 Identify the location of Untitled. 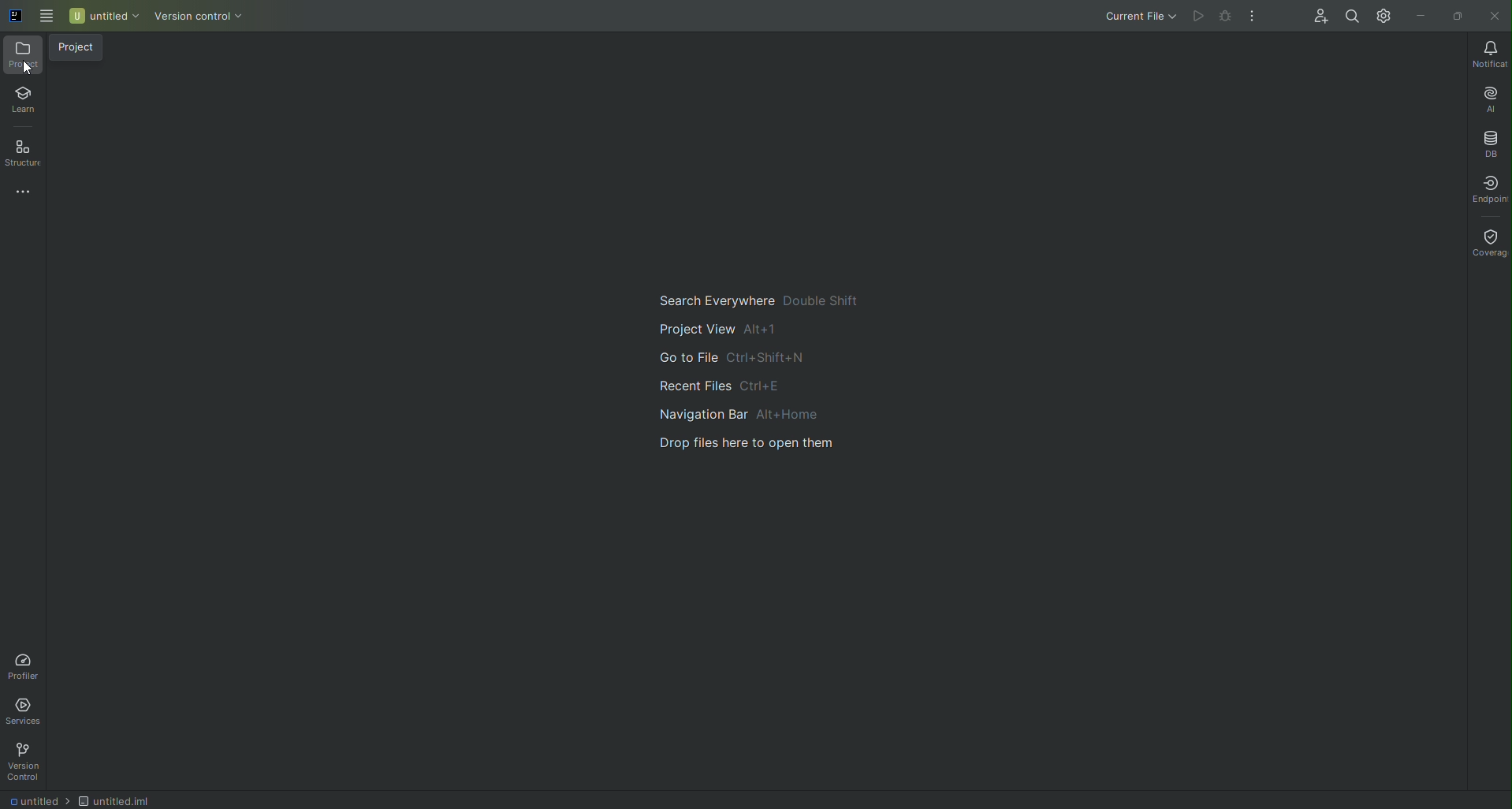
(102, 19).